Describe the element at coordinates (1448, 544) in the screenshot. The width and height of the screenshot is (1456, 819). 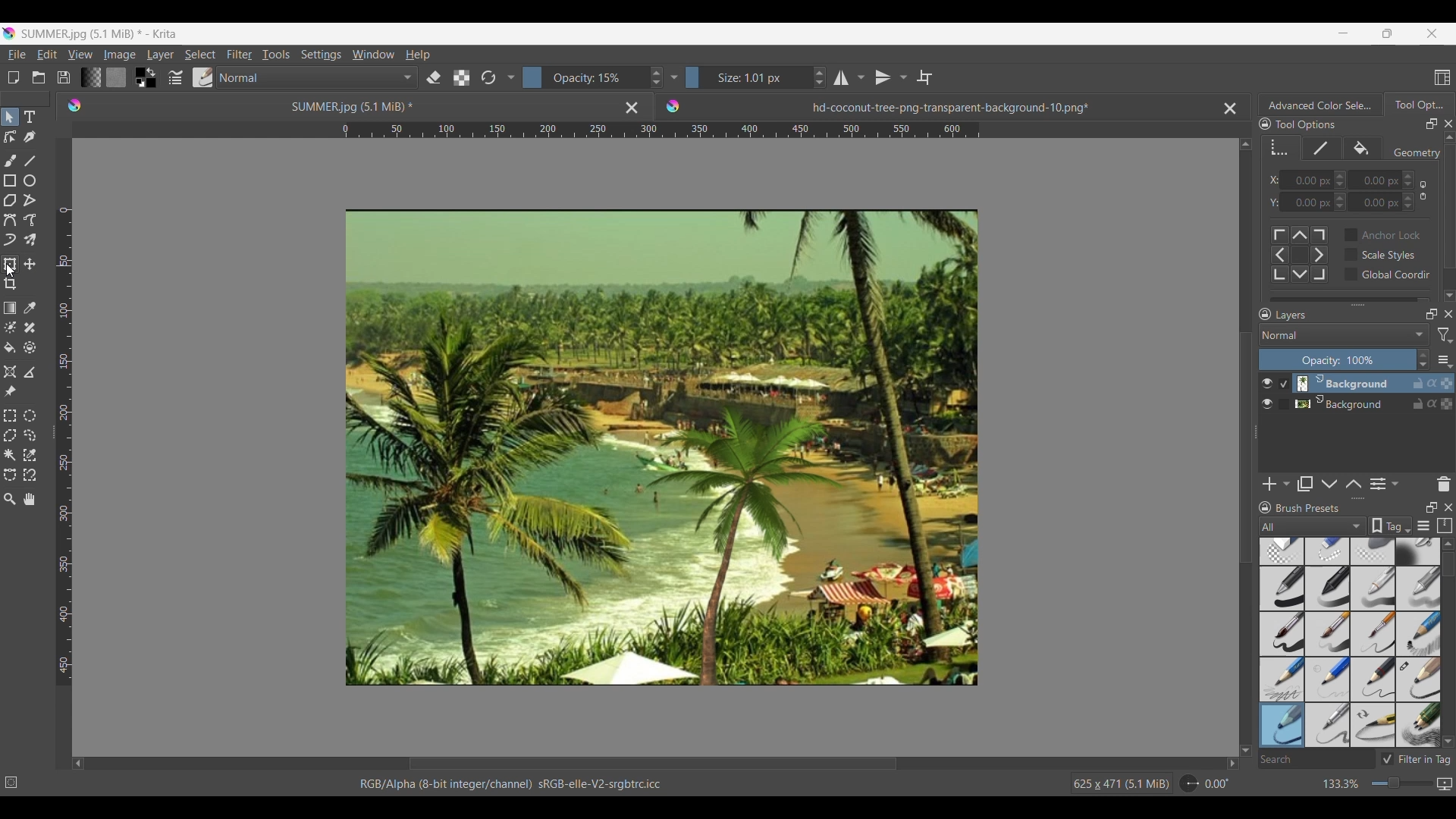
I see `Quick slide to top` at that location.